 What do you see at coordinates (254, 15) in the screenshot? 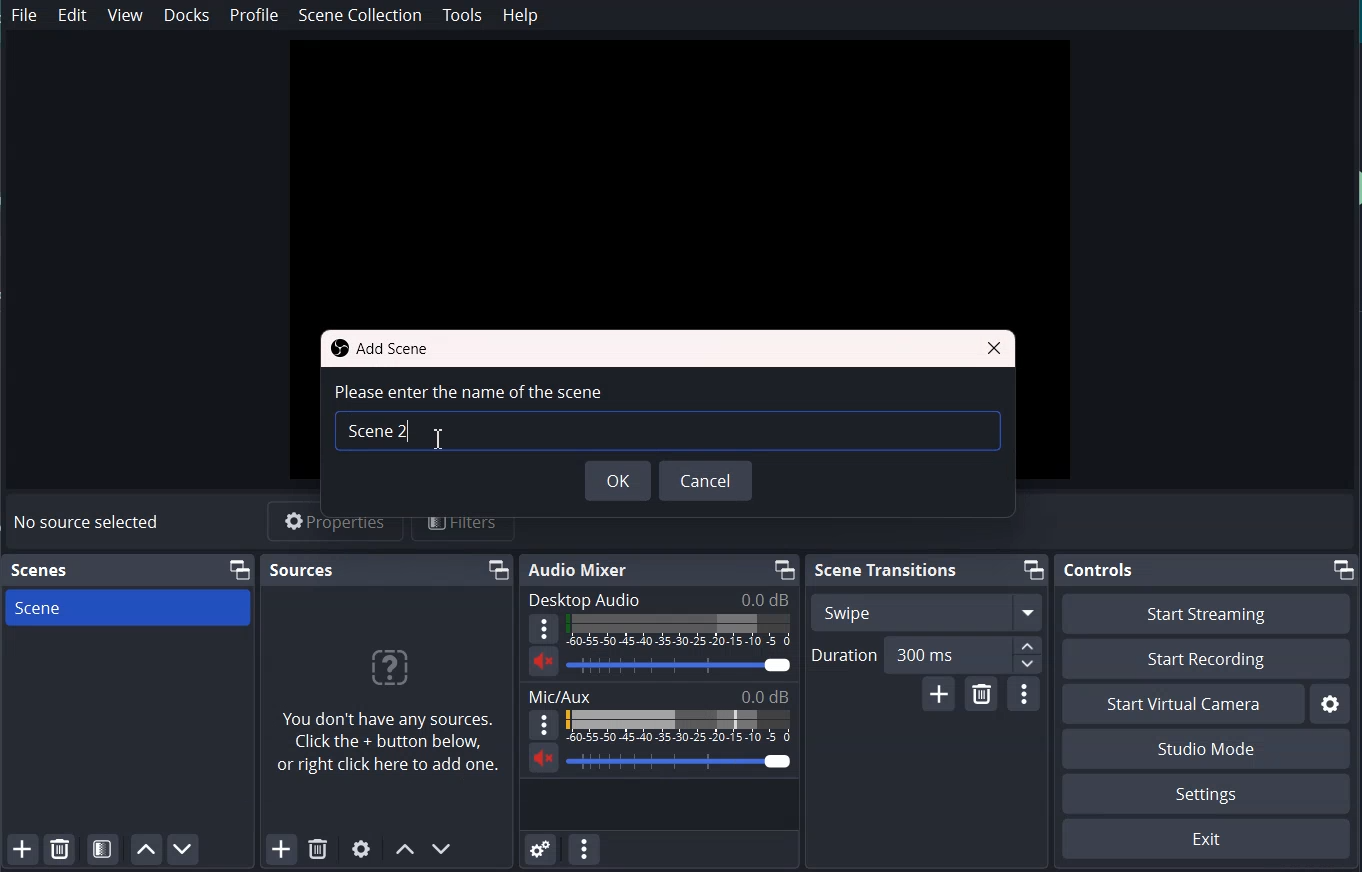
I see `Profile` at bounding box center [254, 15].